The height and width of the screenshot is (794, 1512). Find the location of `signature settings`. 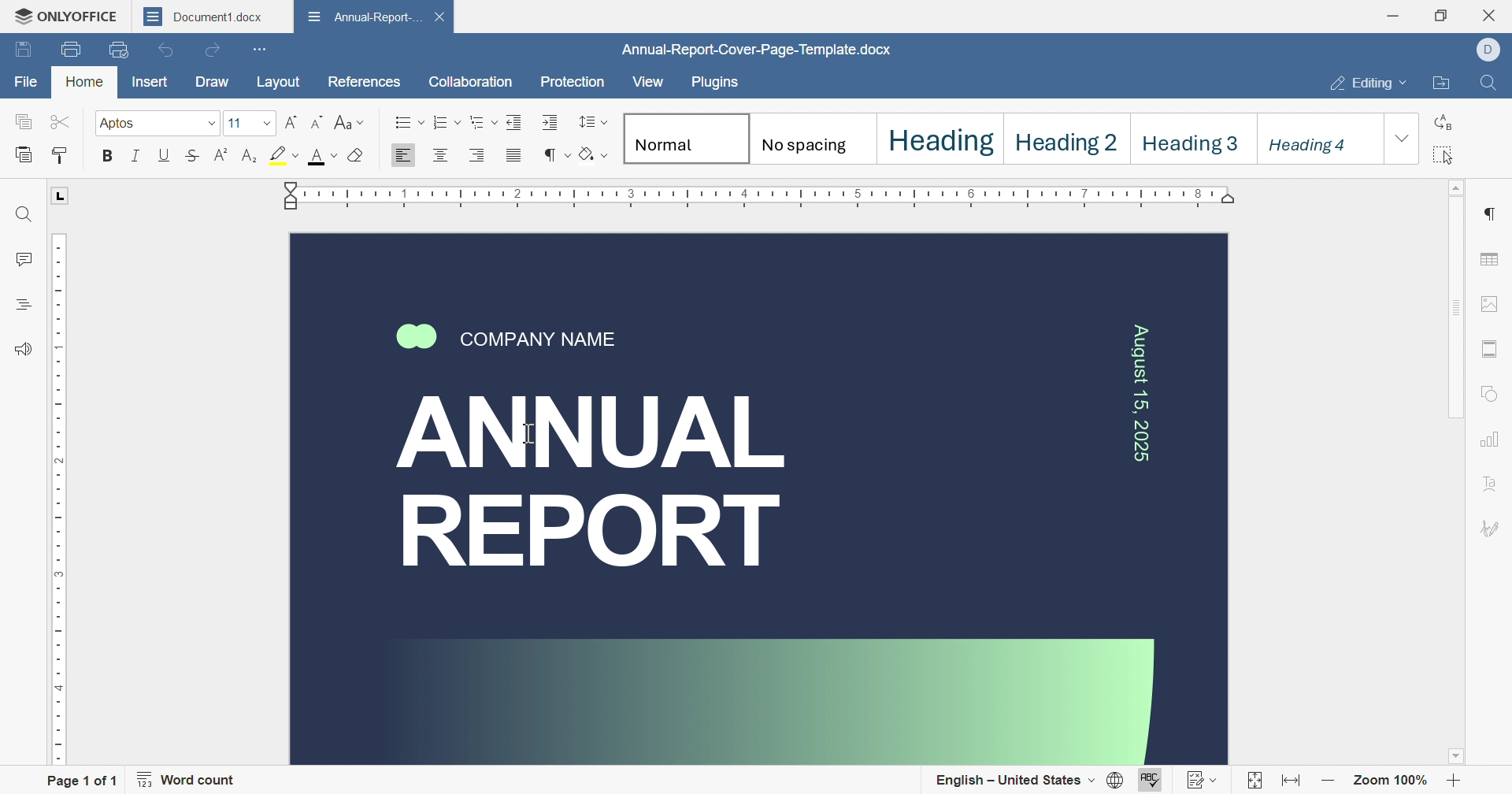

signature settings is located at coordinates (1492, 529).